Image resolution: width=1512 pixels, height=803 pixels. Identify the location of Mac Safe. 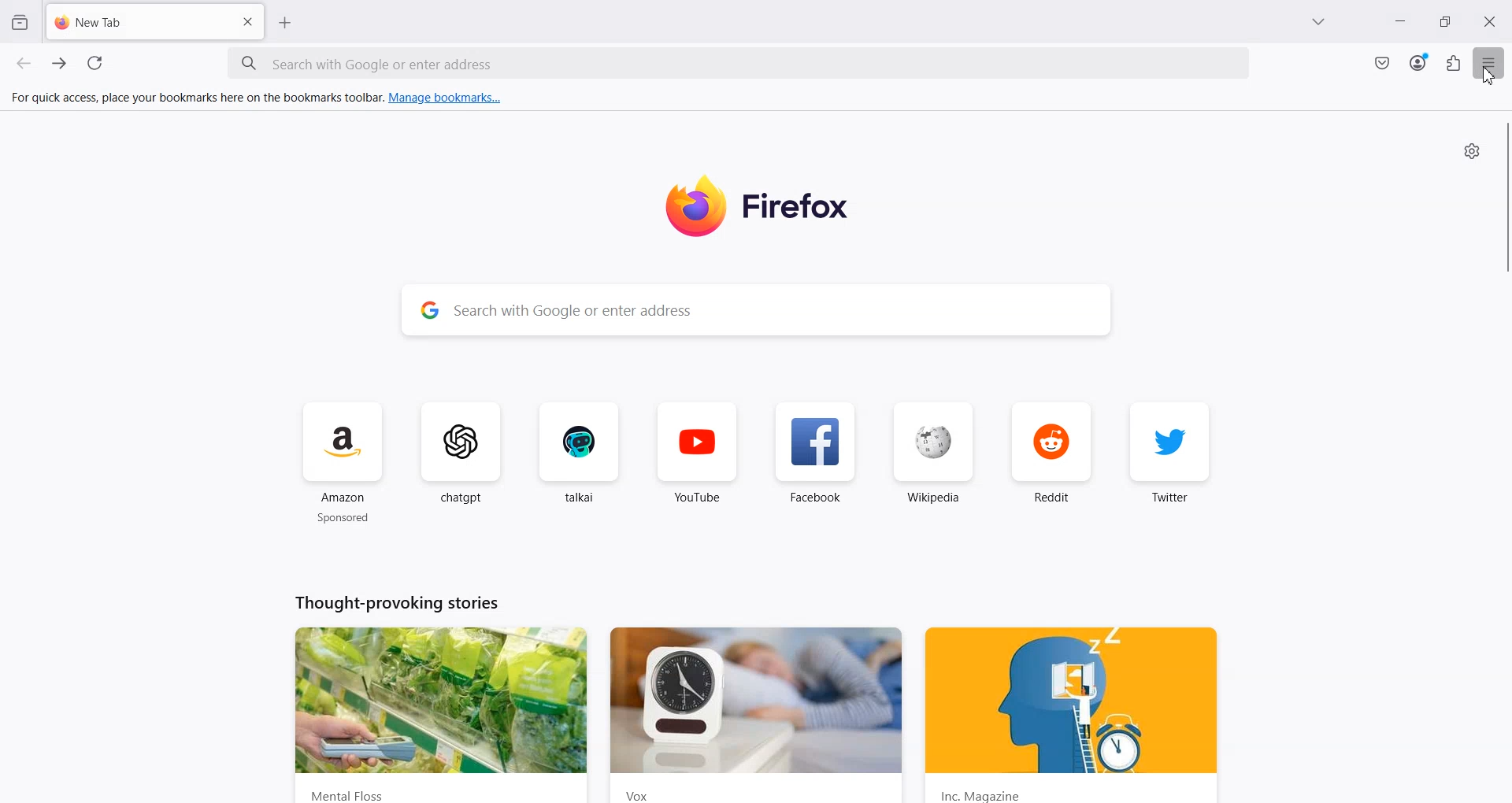
(1382, 63).